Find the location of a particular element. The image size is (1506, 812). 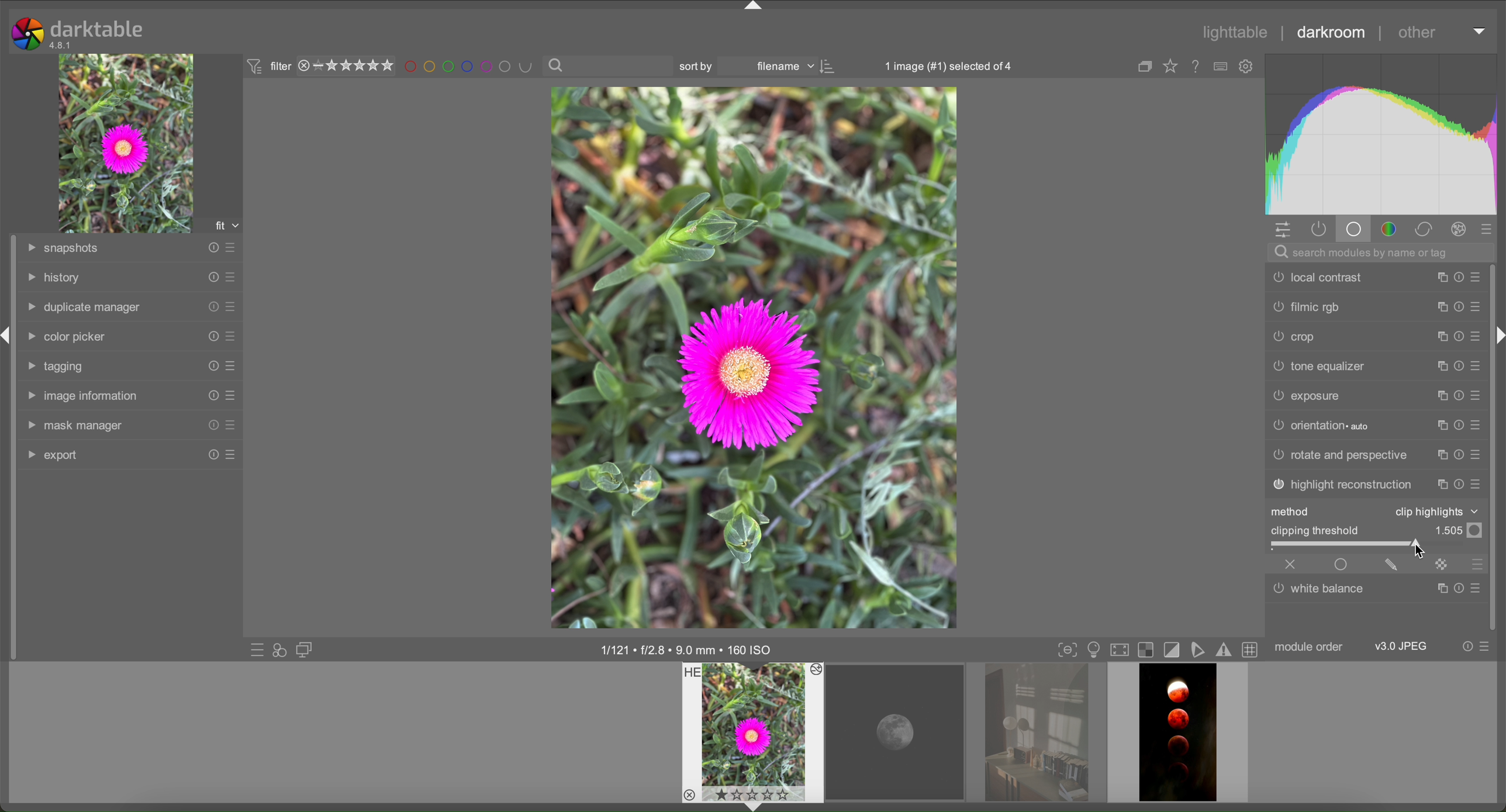

reset presets is located at coordinates (1456, 308).